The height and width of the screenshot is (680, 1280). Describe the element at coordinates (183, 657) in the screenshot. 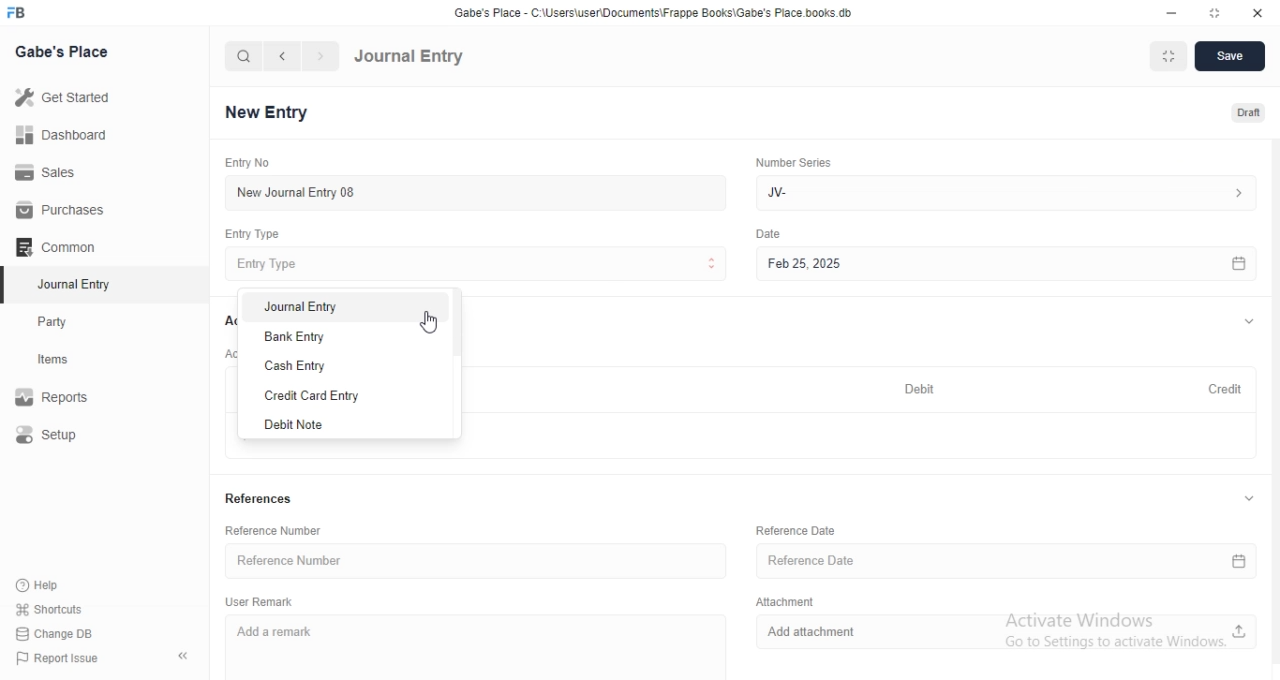

I see `collapse sidebar` at that location.